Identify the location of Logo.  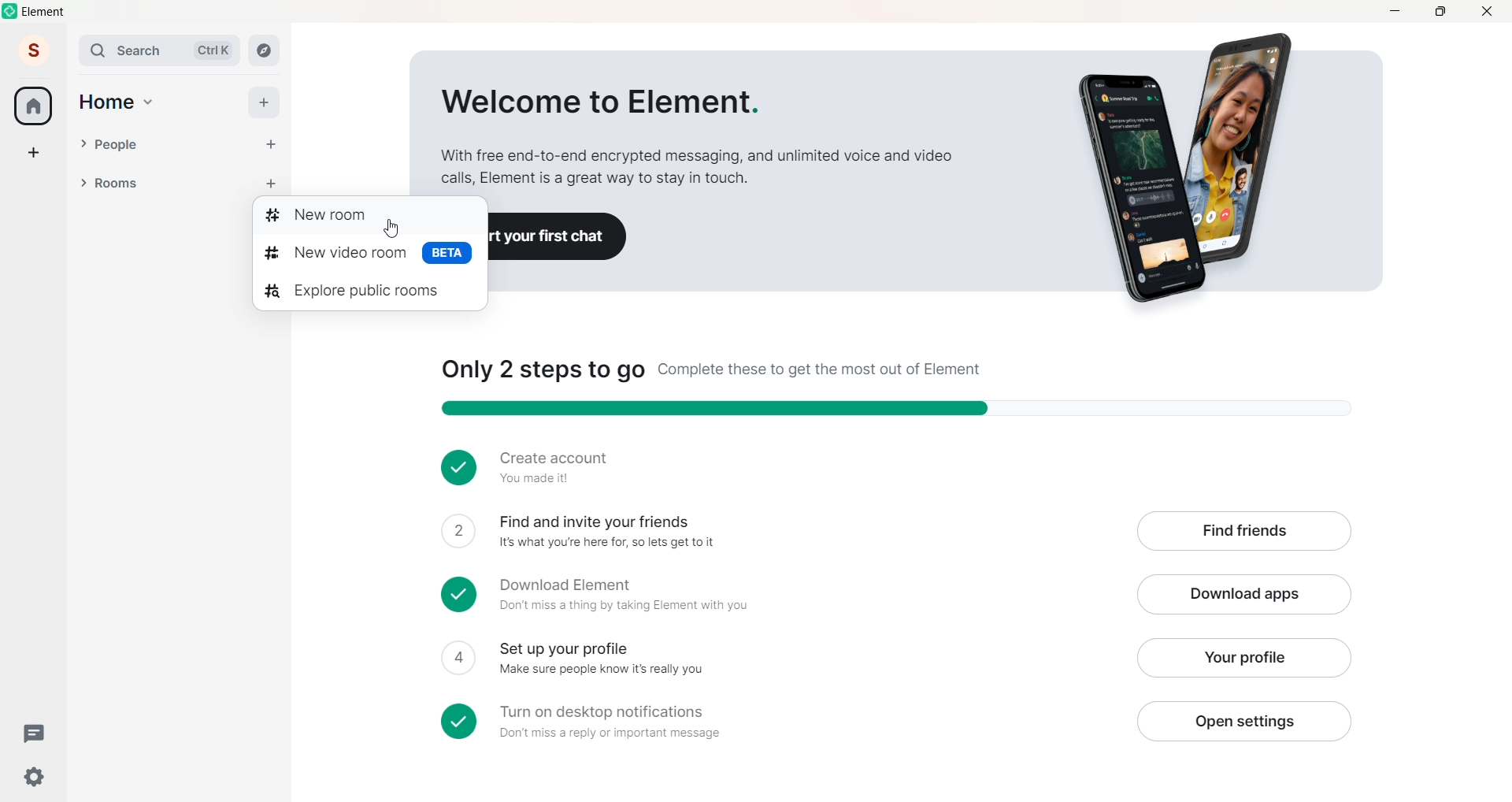
(11, 11).